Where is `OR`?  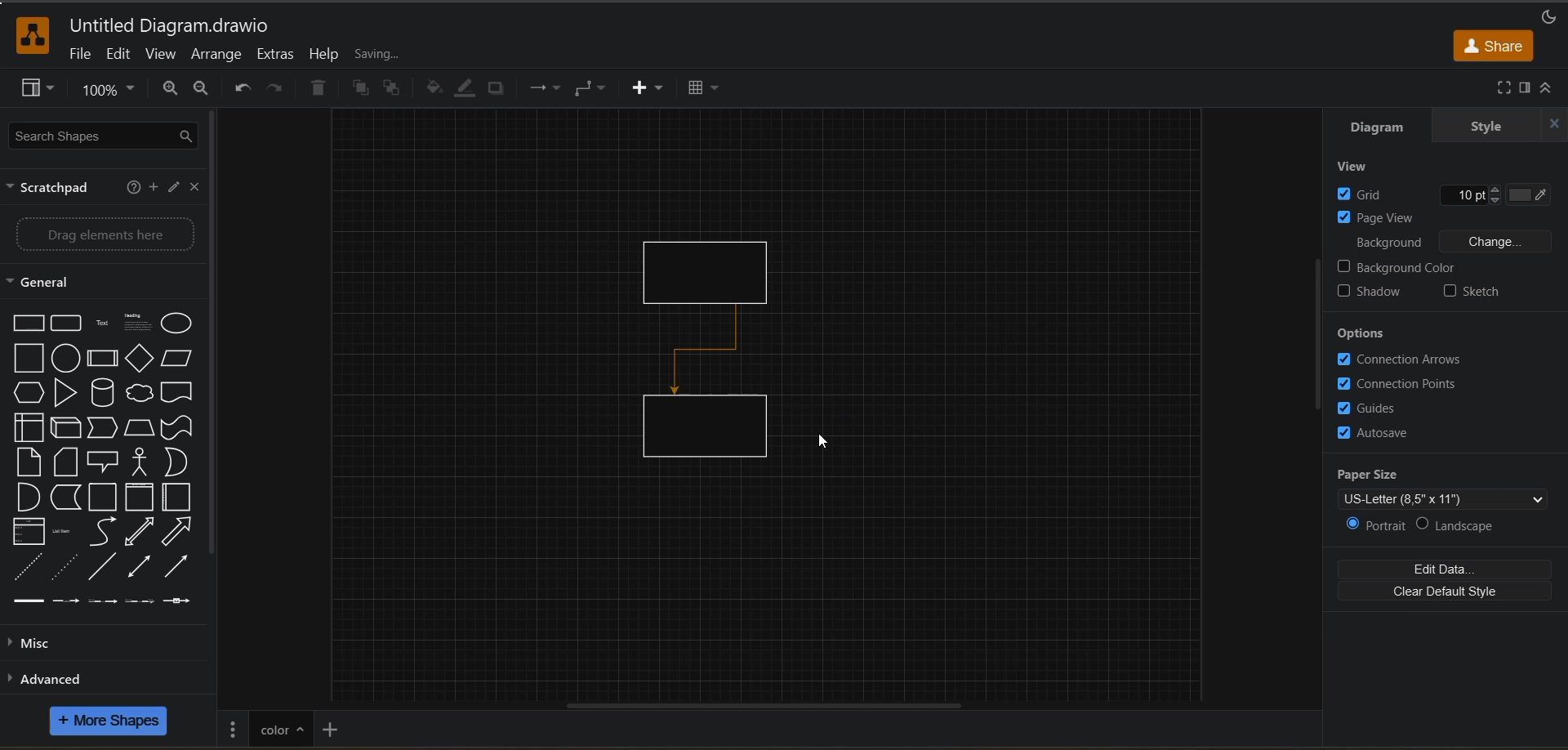
OR is located at coordinates (180, 463).